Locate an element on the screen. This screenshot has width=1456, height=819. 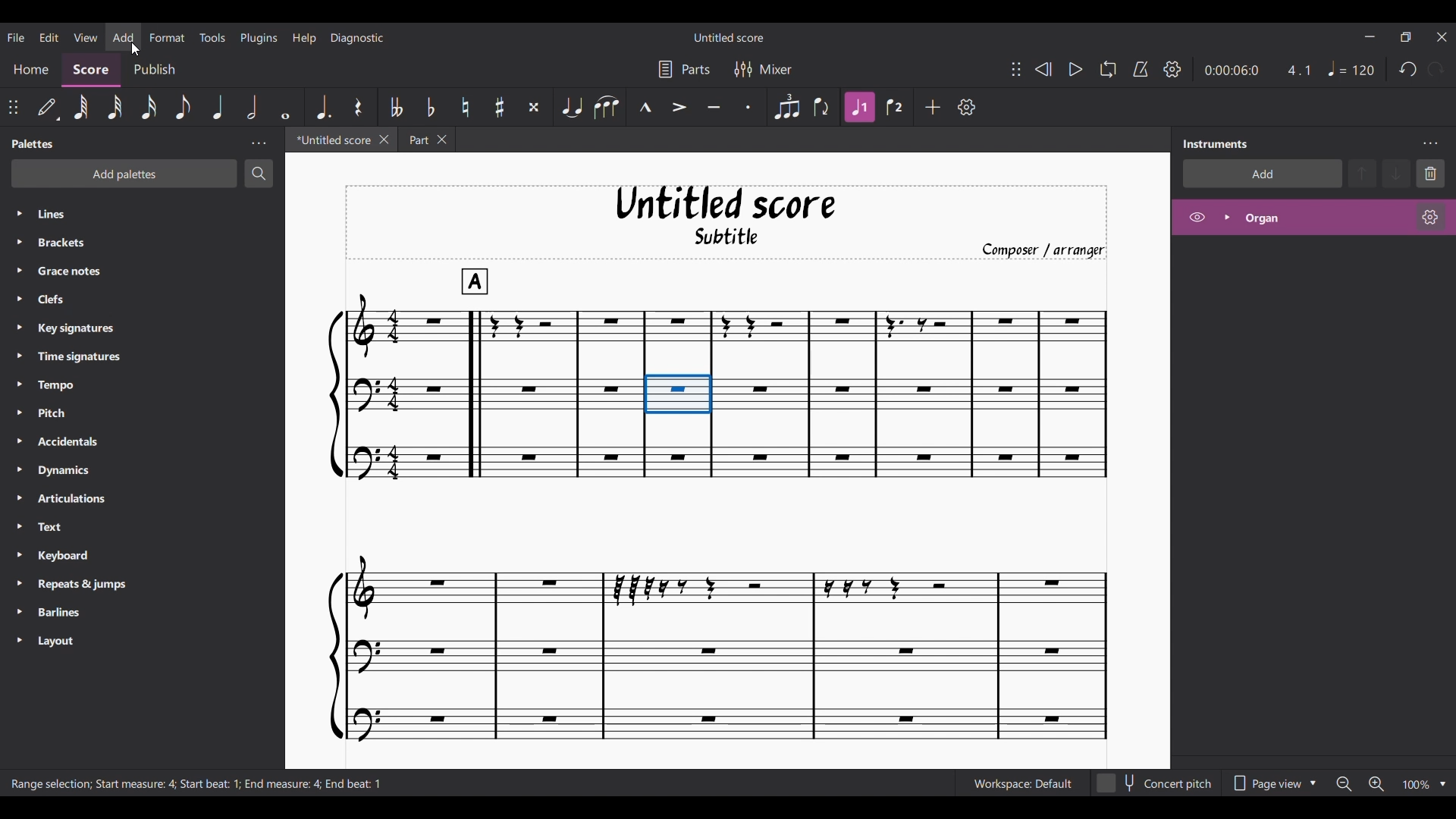
File menu is located at coordinates (16, 37).